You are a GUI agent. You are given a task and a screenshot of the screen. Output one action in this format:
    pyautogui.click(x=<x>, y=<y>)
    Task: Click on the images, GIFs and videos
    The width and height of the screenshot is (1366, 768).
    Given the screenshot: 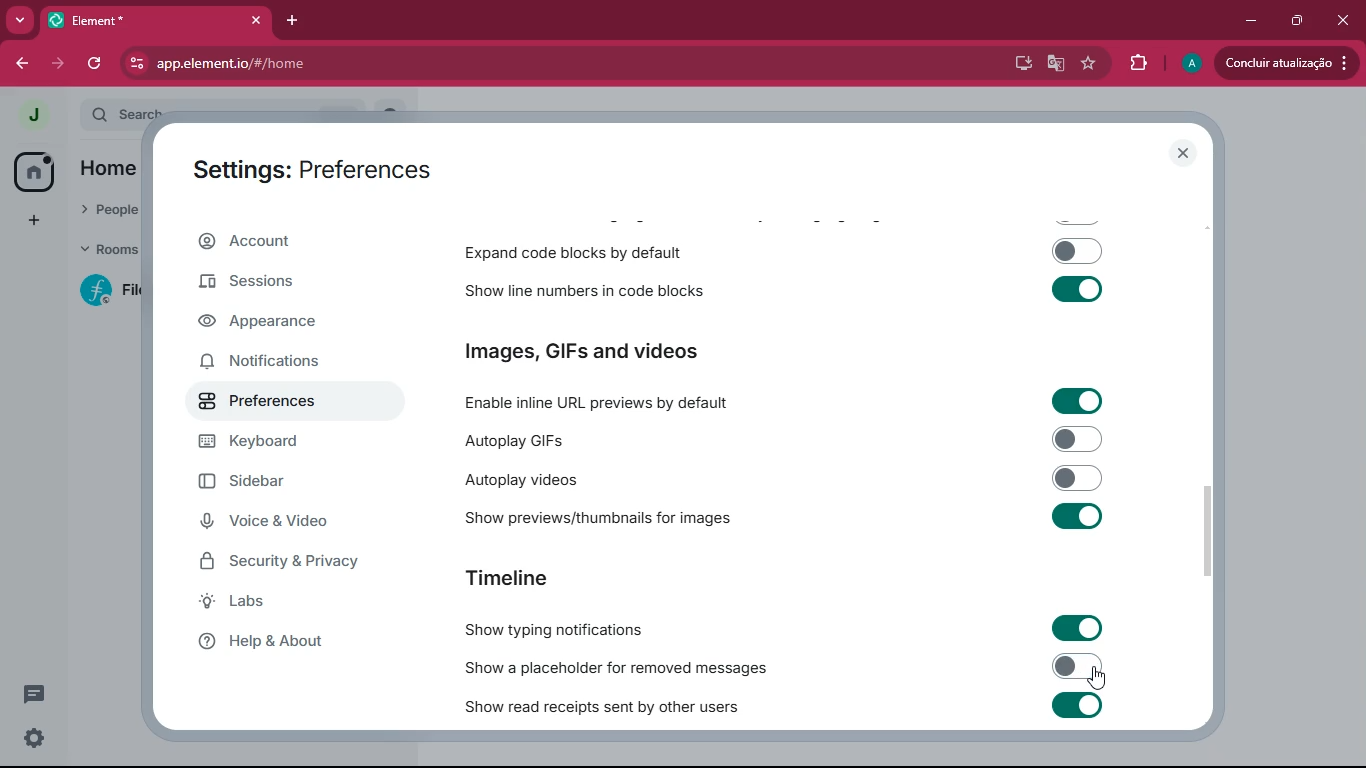 What is the action you would take?
    pyautogui.click(x=610, y=353)
    